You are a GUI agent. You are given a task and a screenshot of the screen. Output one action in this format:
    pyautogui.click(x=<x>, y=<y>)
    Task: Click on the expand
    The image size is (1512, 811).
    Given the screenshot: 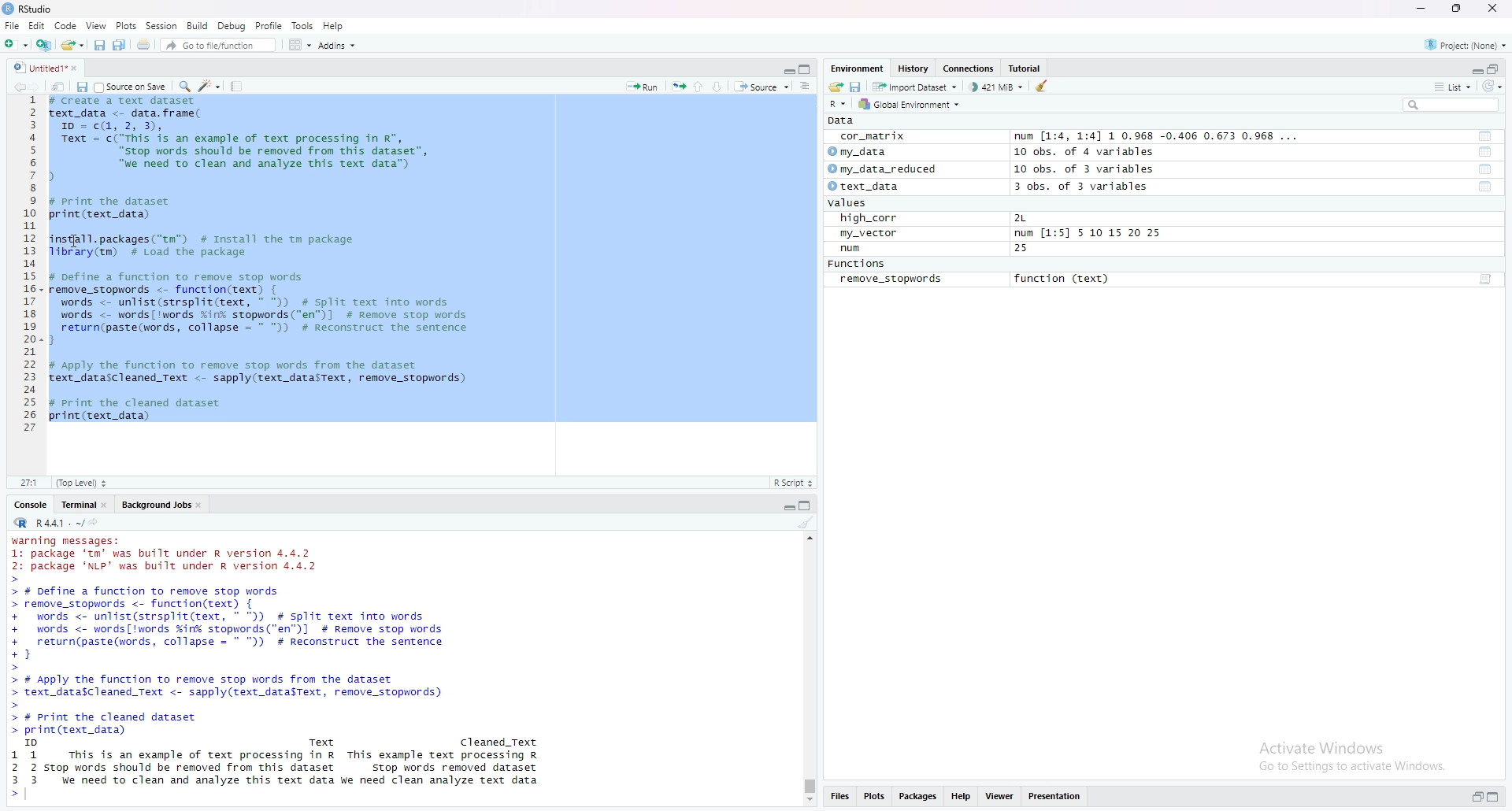 What is the action you would take?
    pyautogui.click(x=1475, y=69)
    